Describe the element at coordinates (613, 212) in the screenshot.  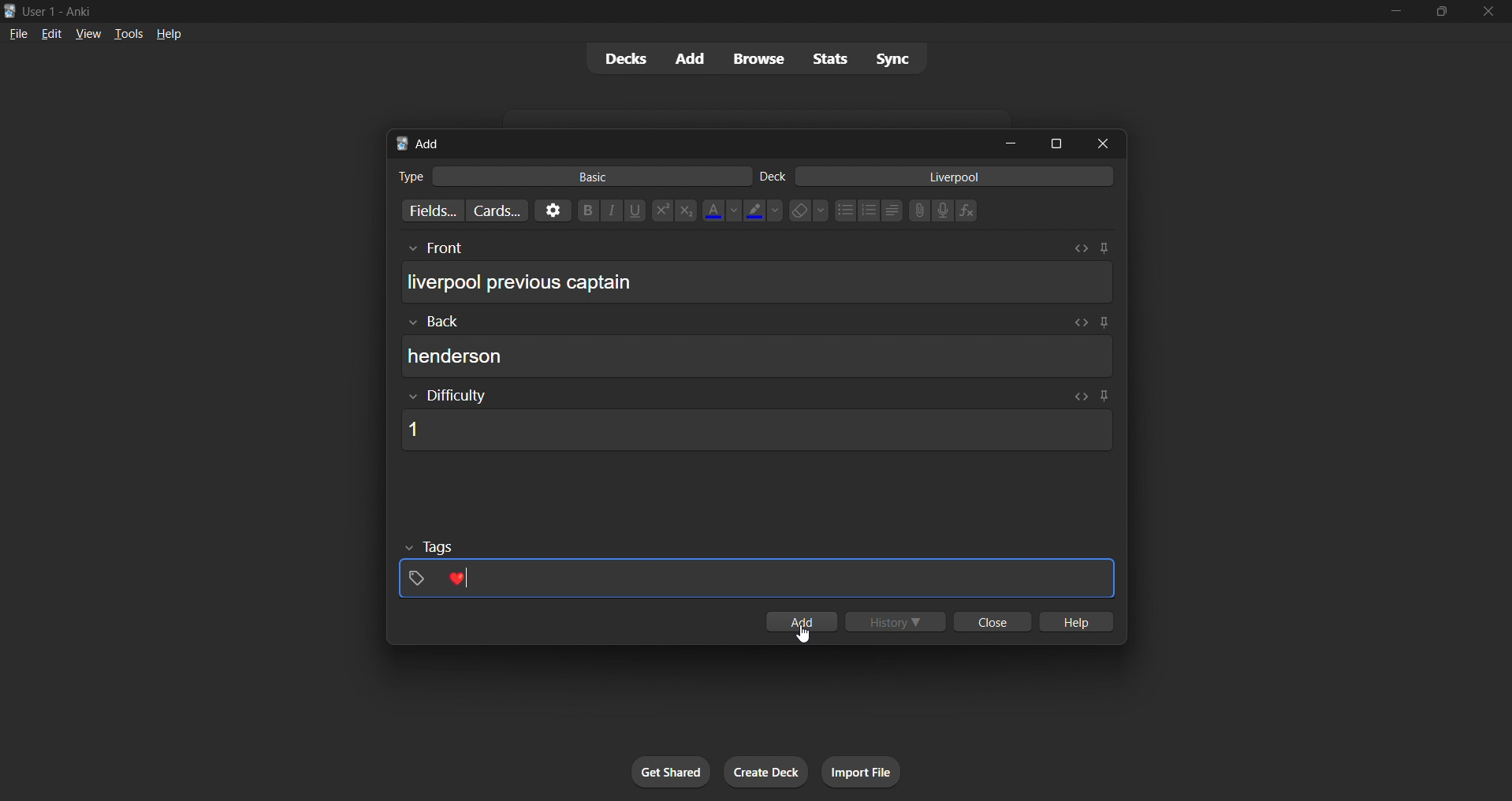
I see `italic` at that location.